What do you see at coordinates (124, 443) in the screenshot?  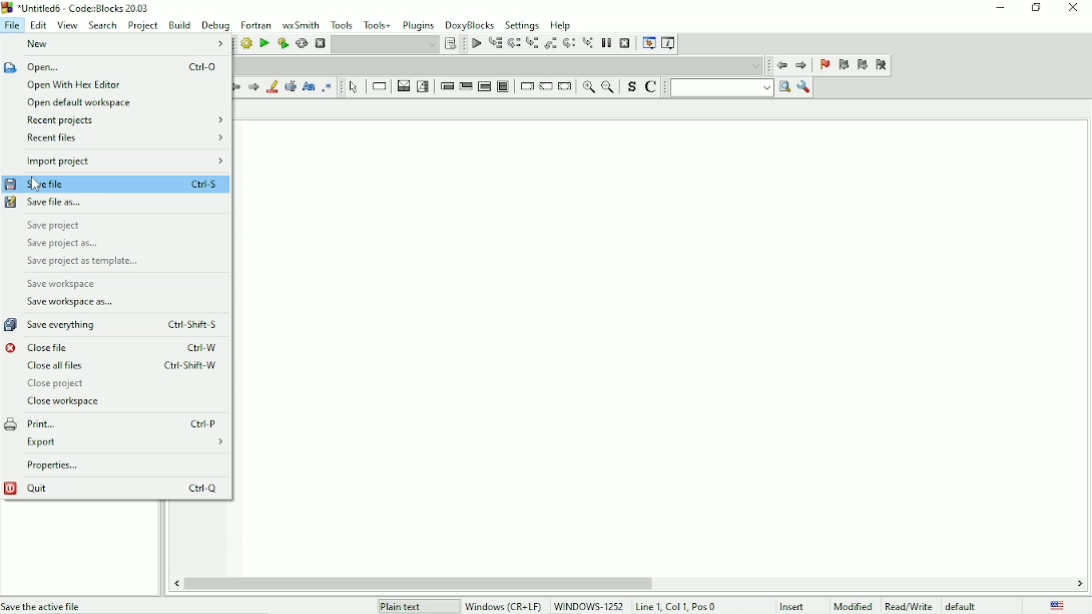 I see `Export` at bounding box center [124, 443].